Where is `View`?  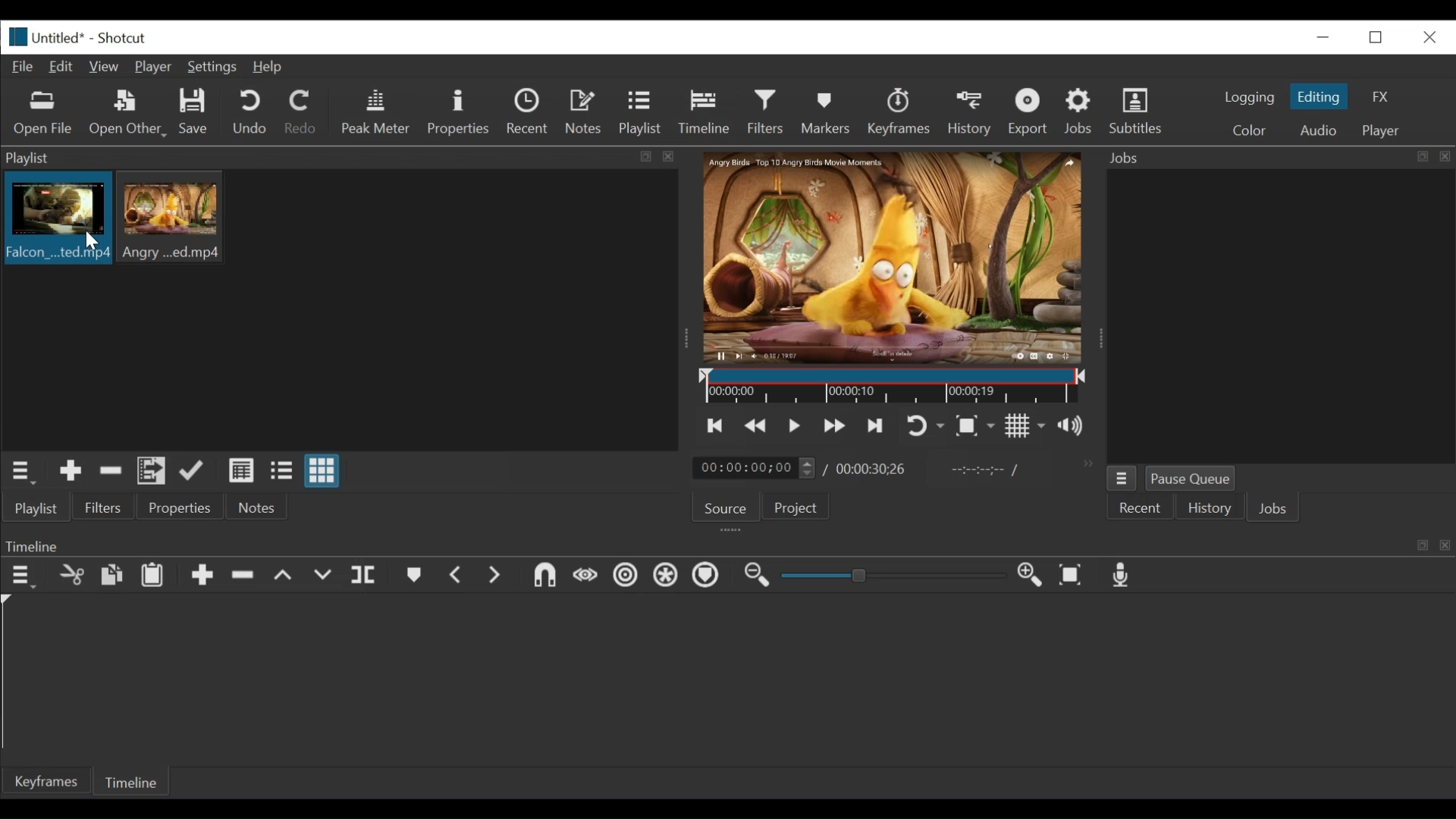
View is located at coordinates (105, 67).